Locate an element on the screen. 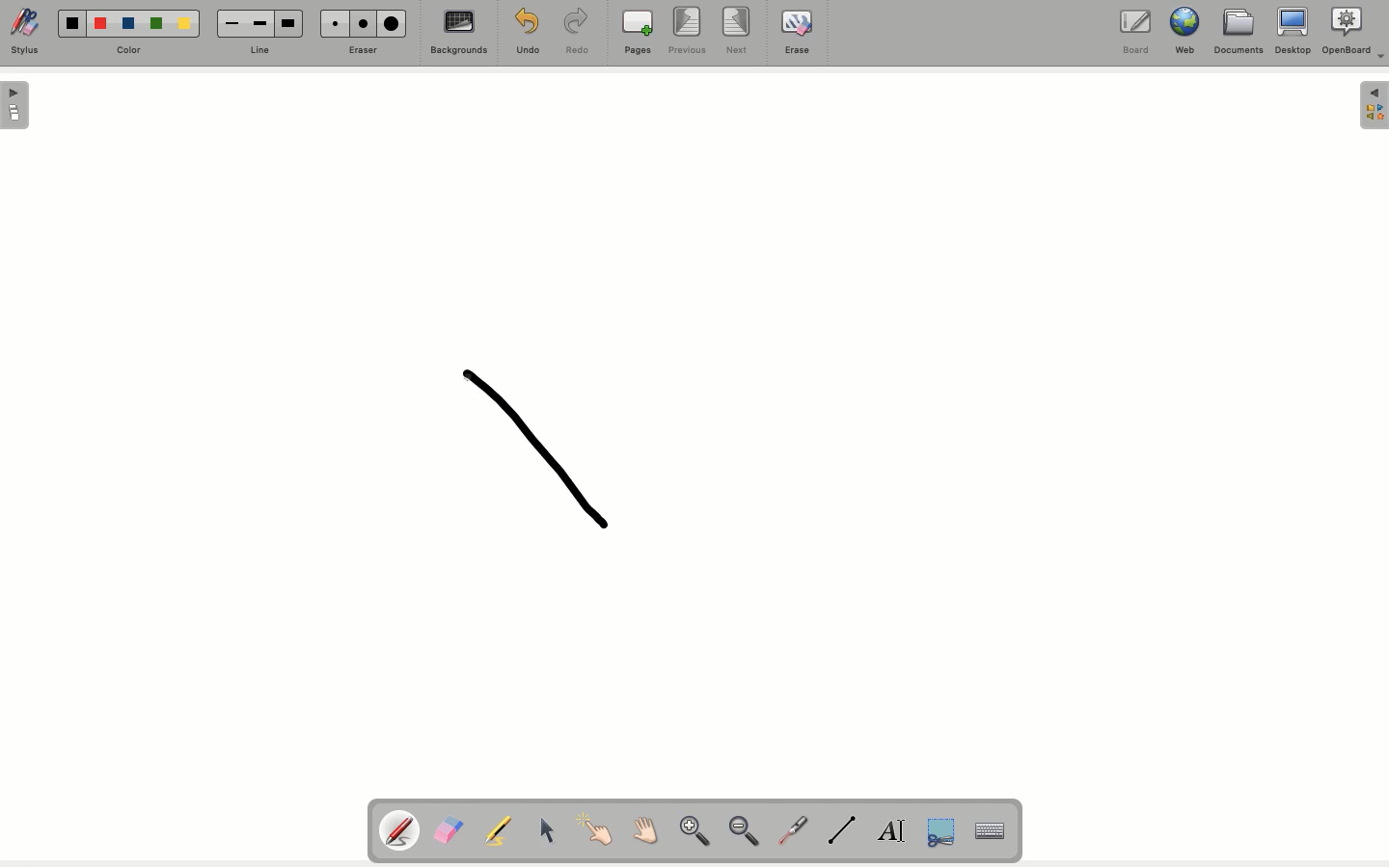 Image resolution: width=1389 pixels, height=868 pixels. Keyboard is located at coordinates (991, 830).